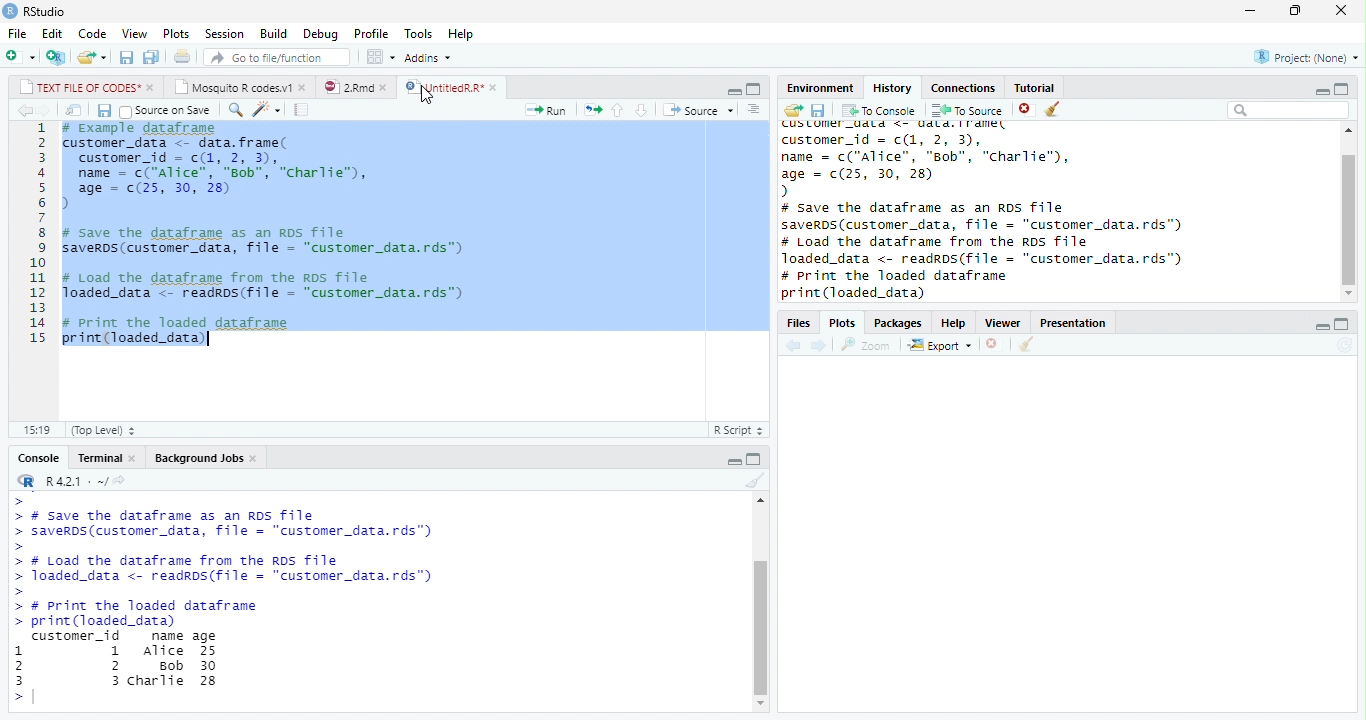 Image resolution: width=1366 pixels, height=720 pixels. Describe the element at coordinates (592, 111) in the screenshot. I see `rerun` at that location.